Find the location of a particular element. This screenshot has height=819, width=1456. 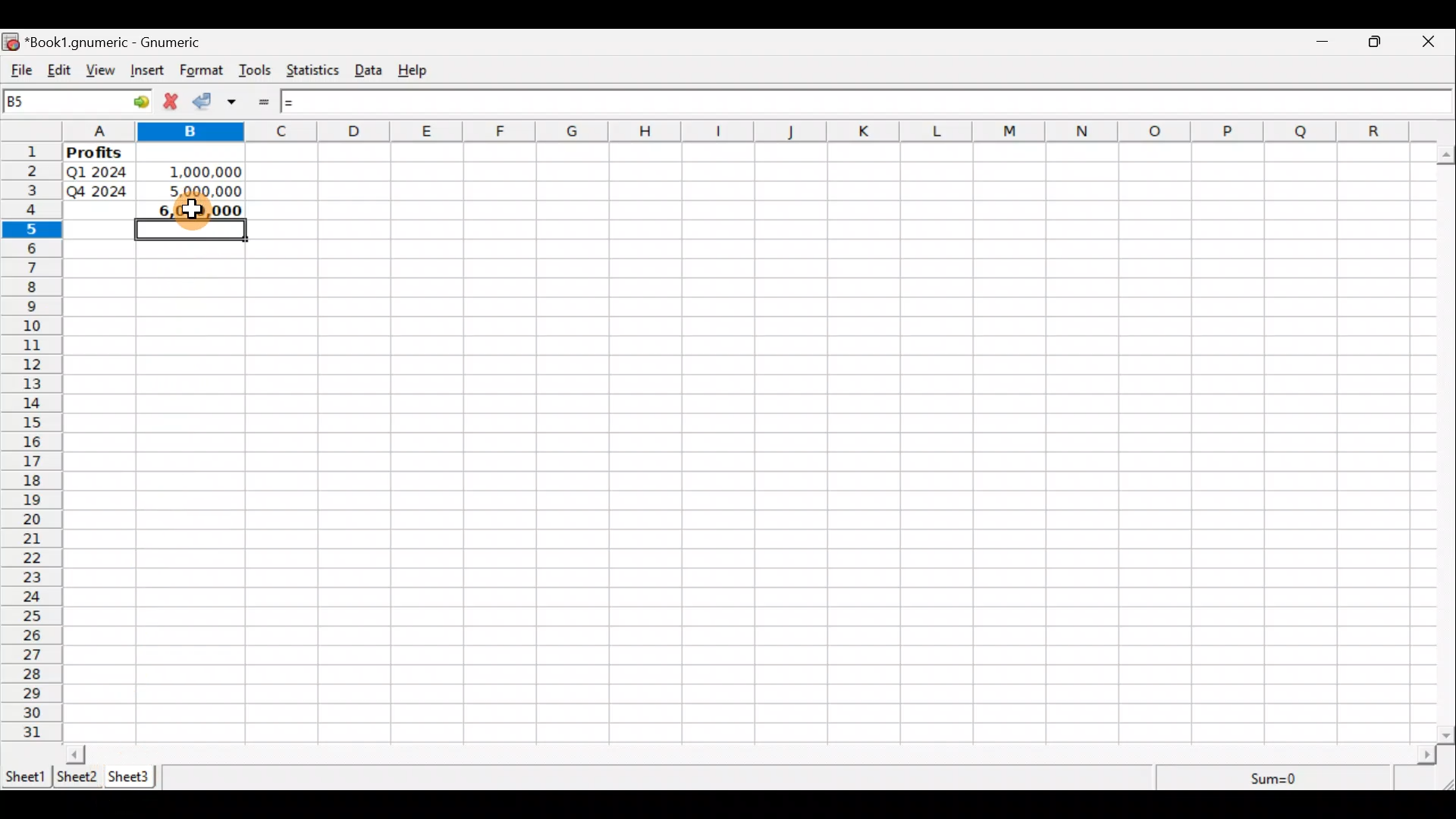

Sheet 3 is located at coordinates (131, 777).